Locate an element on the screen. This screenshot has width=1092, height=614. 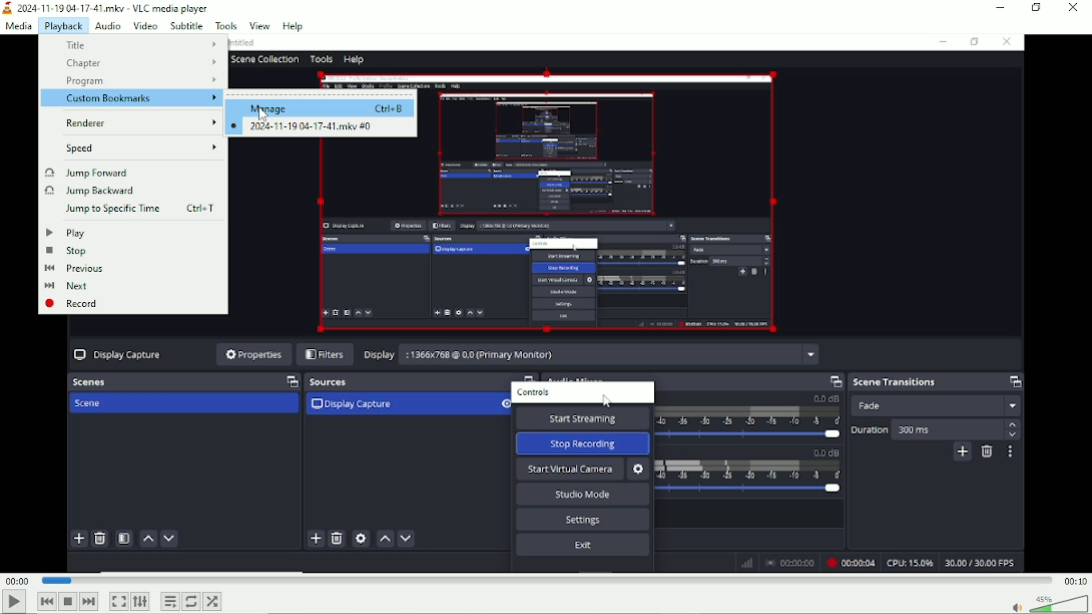
Next is located at coordinates (66, 286).